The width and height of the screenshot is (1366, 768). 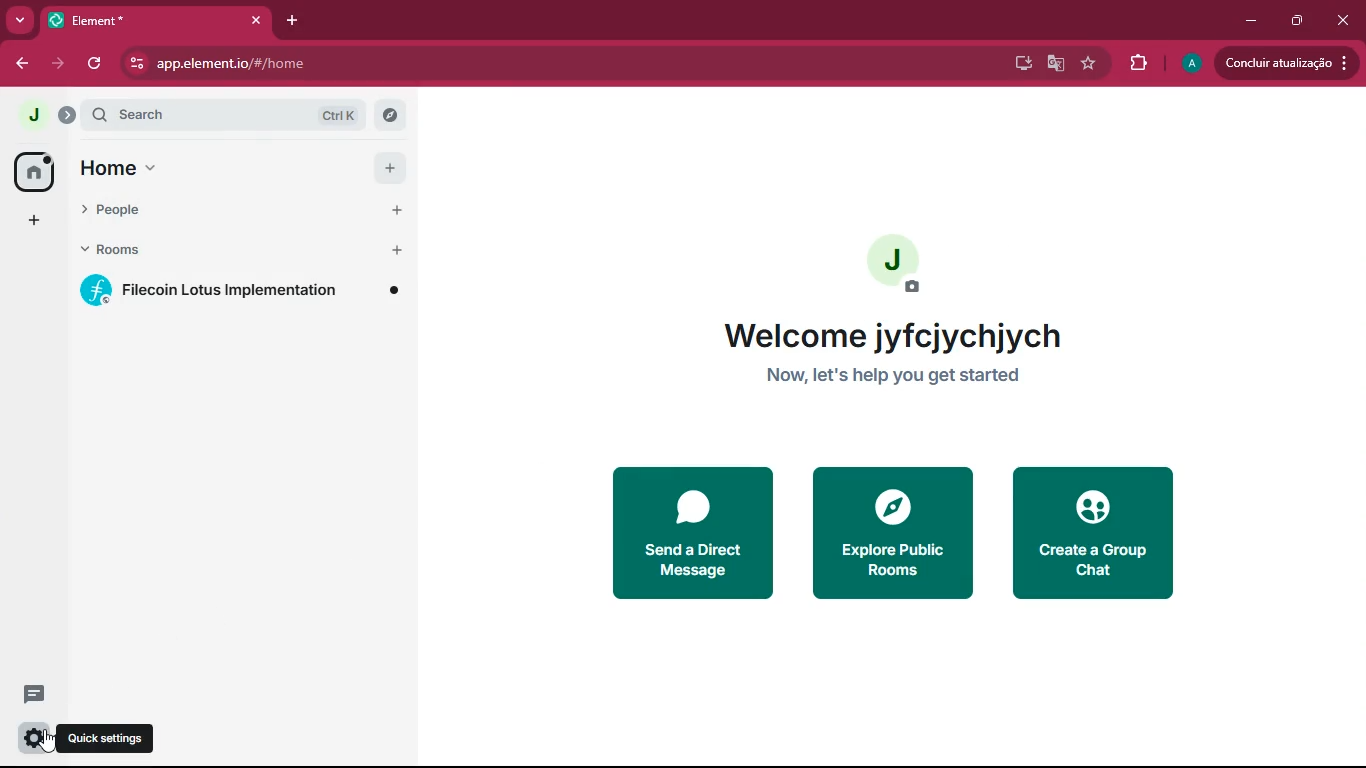 What do you see at coordinates (1137, 64) in the screenshot?
I see `extensions` at bounding box center [1137, 64].